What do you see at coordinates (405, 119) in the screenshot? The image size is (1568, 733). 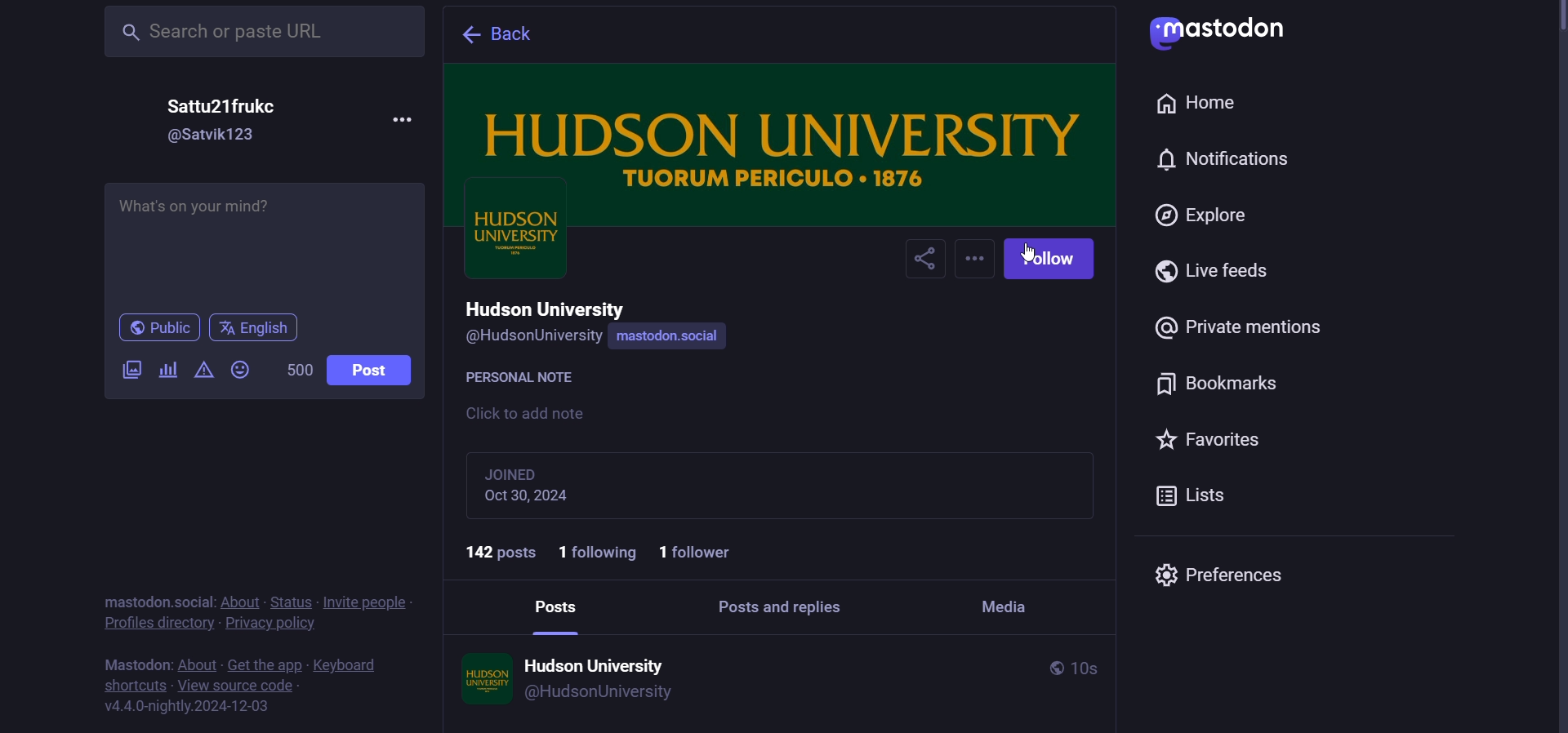 I see `more` at bounding box center [405, 119].